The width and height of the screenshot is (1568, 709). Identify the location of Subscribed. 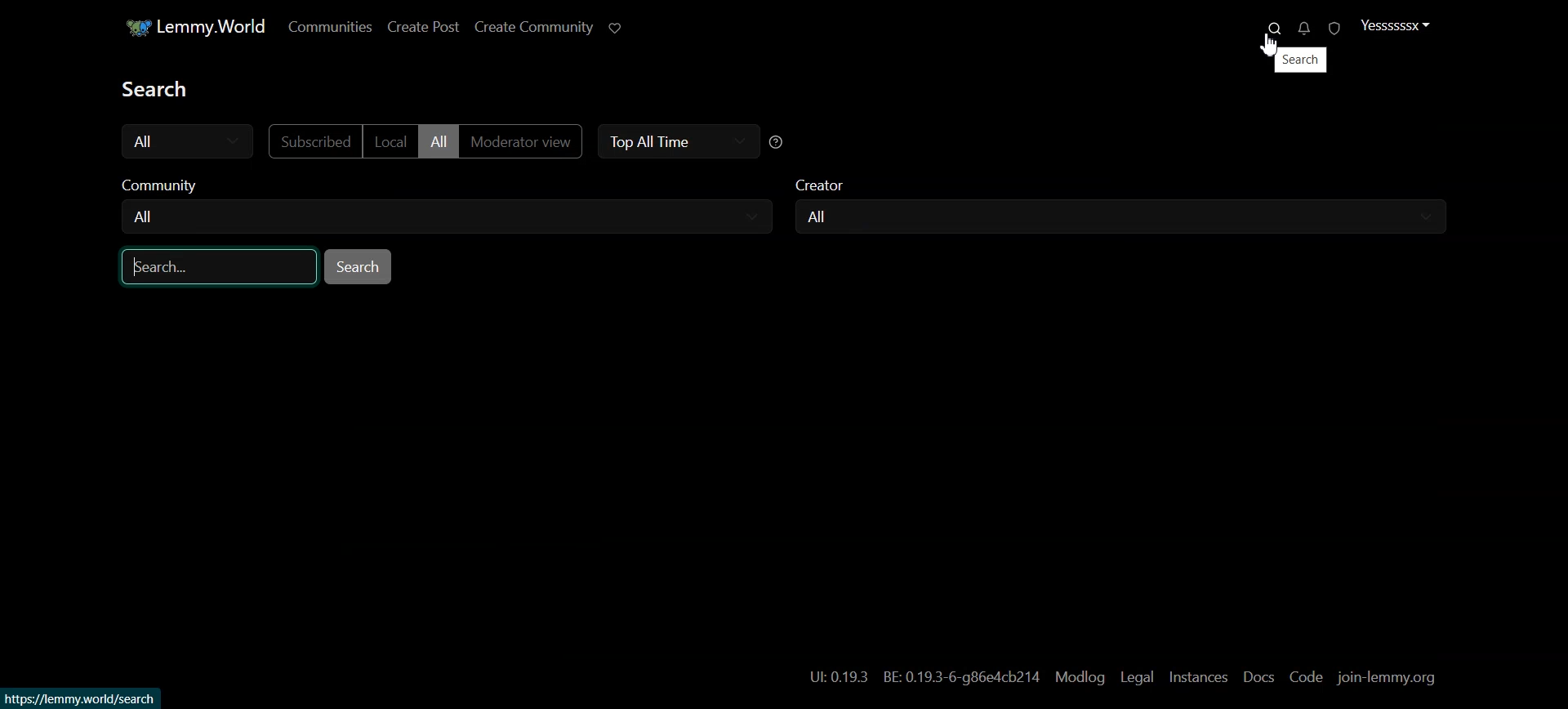
(312, 142).